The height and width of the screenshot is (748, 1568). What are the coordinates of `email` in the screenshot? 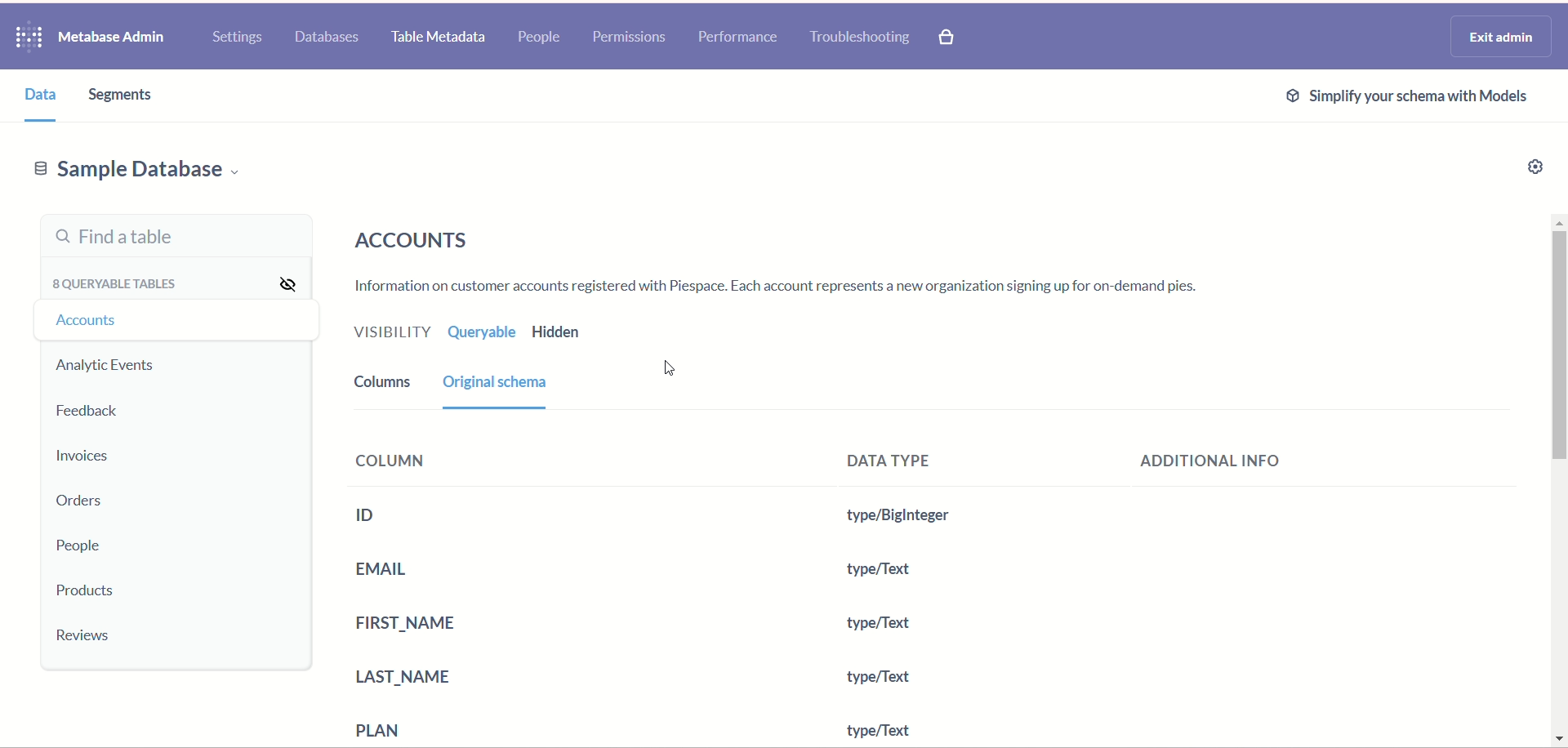 It's located at (380, 571).